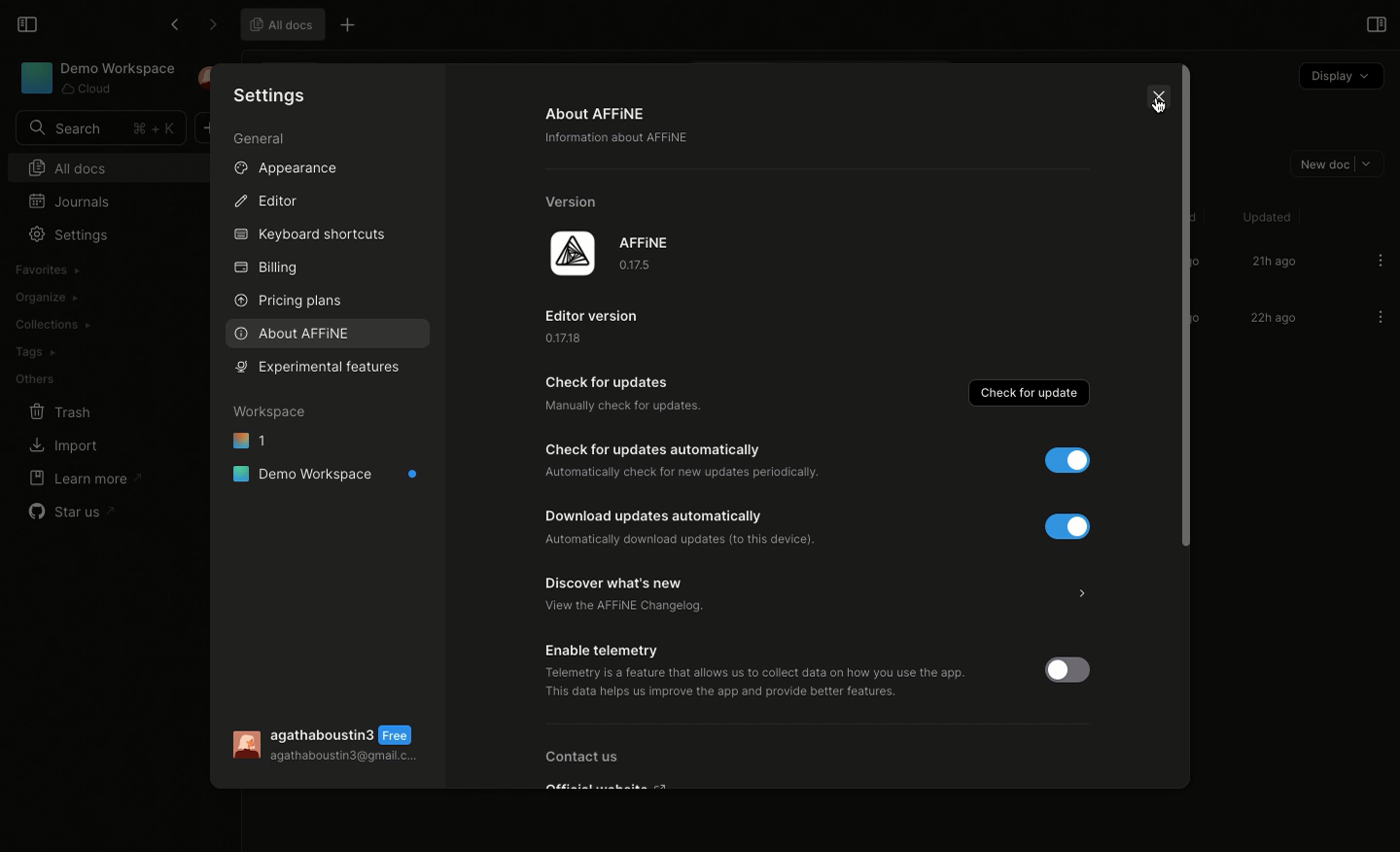 Image resolution: width=1400 pixels, height=852 pixels. I want to click on About AFFINE, so click(294, 334).